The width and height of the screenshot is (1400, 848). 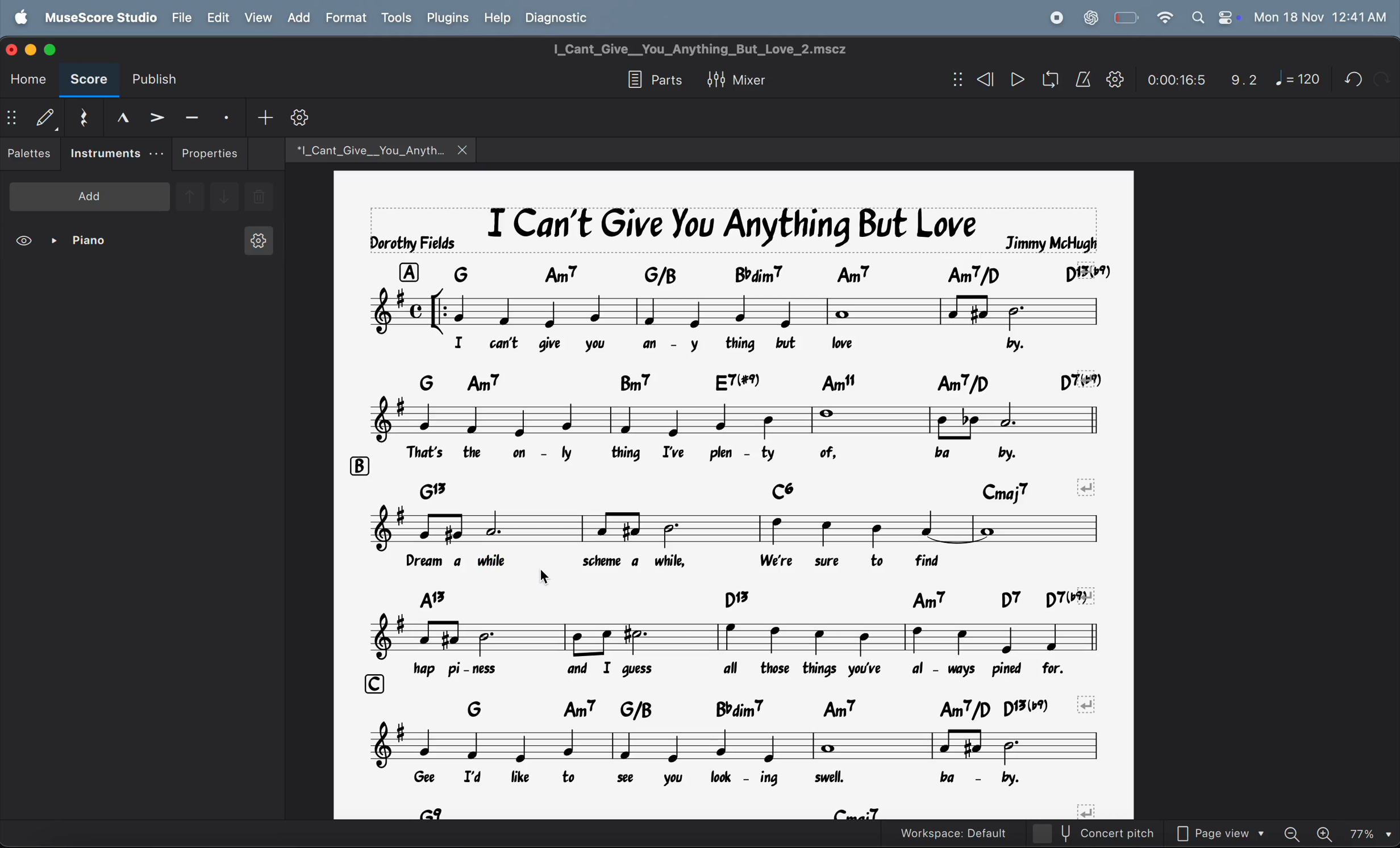 I want to click on mixer , so click(x=734, y=79).